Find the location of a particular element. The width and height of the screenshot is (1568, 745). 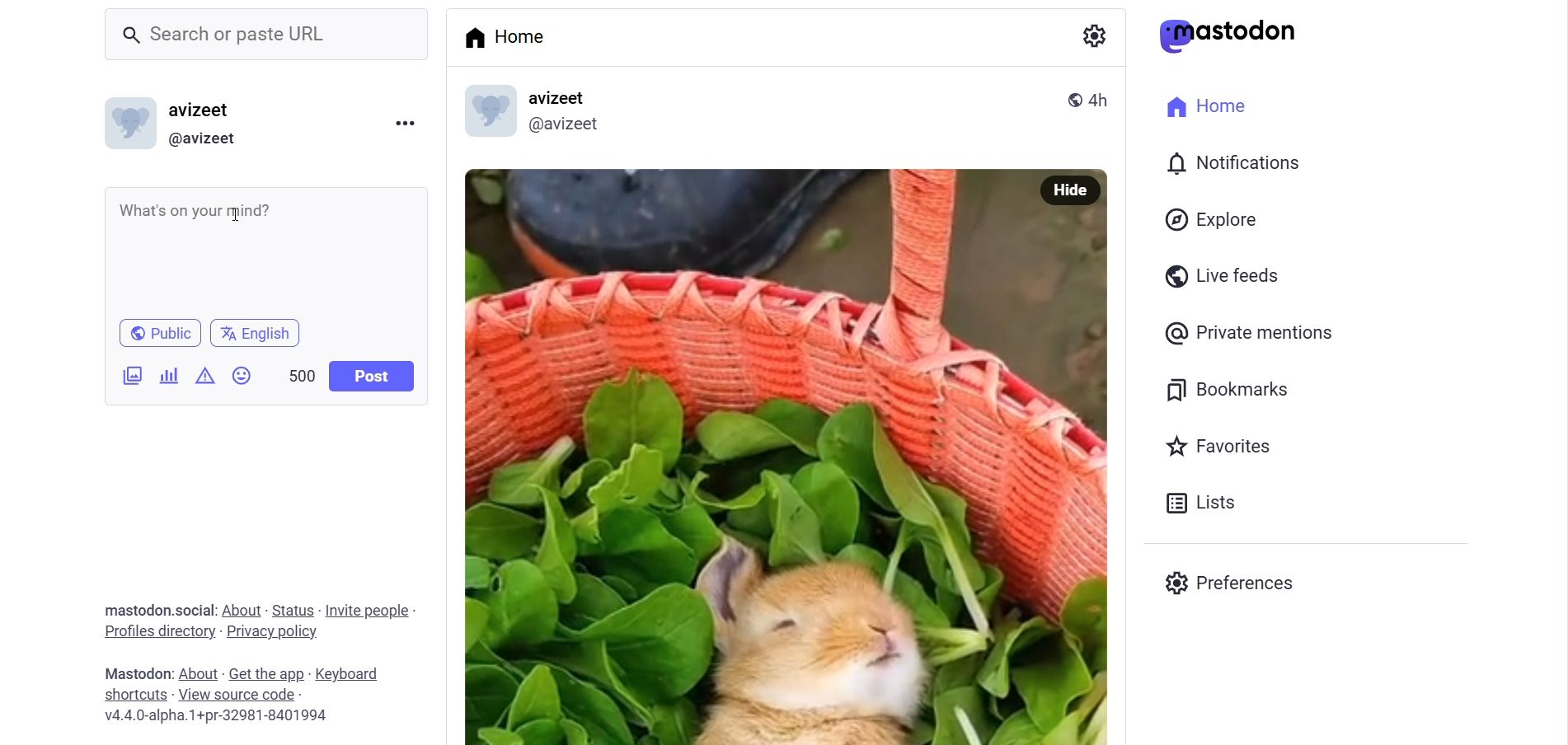

keyboard is located at coordinates (351, 671).